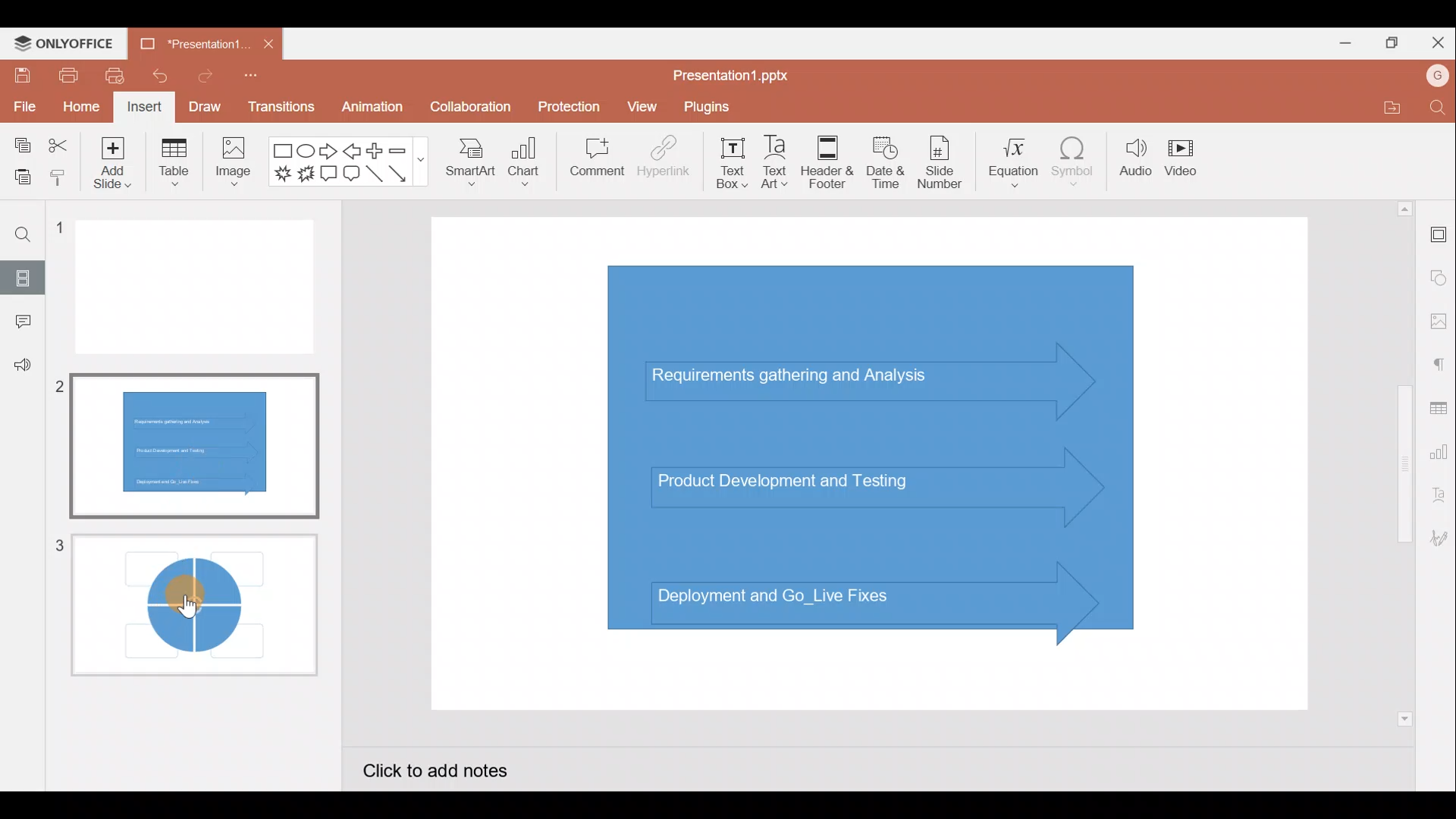 The image size is (1456, 819). What do you see at coordinates (469, 107) in the screenshot?
I see `Collaboration` at bounding box center [469, 107].